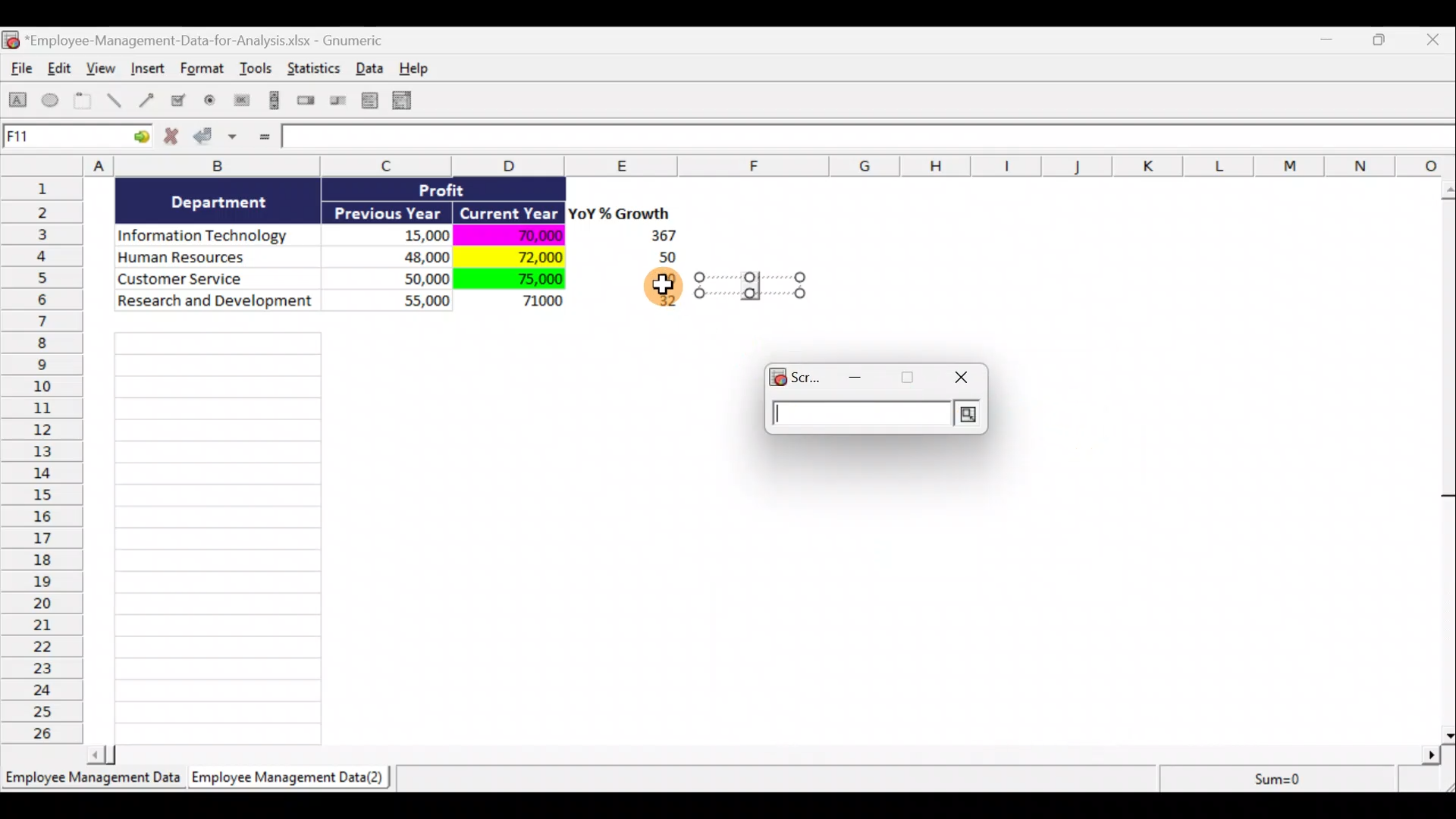  Describe the element at coordinates (1330, 42) in the screenshot. I see `Minimise` at that location.